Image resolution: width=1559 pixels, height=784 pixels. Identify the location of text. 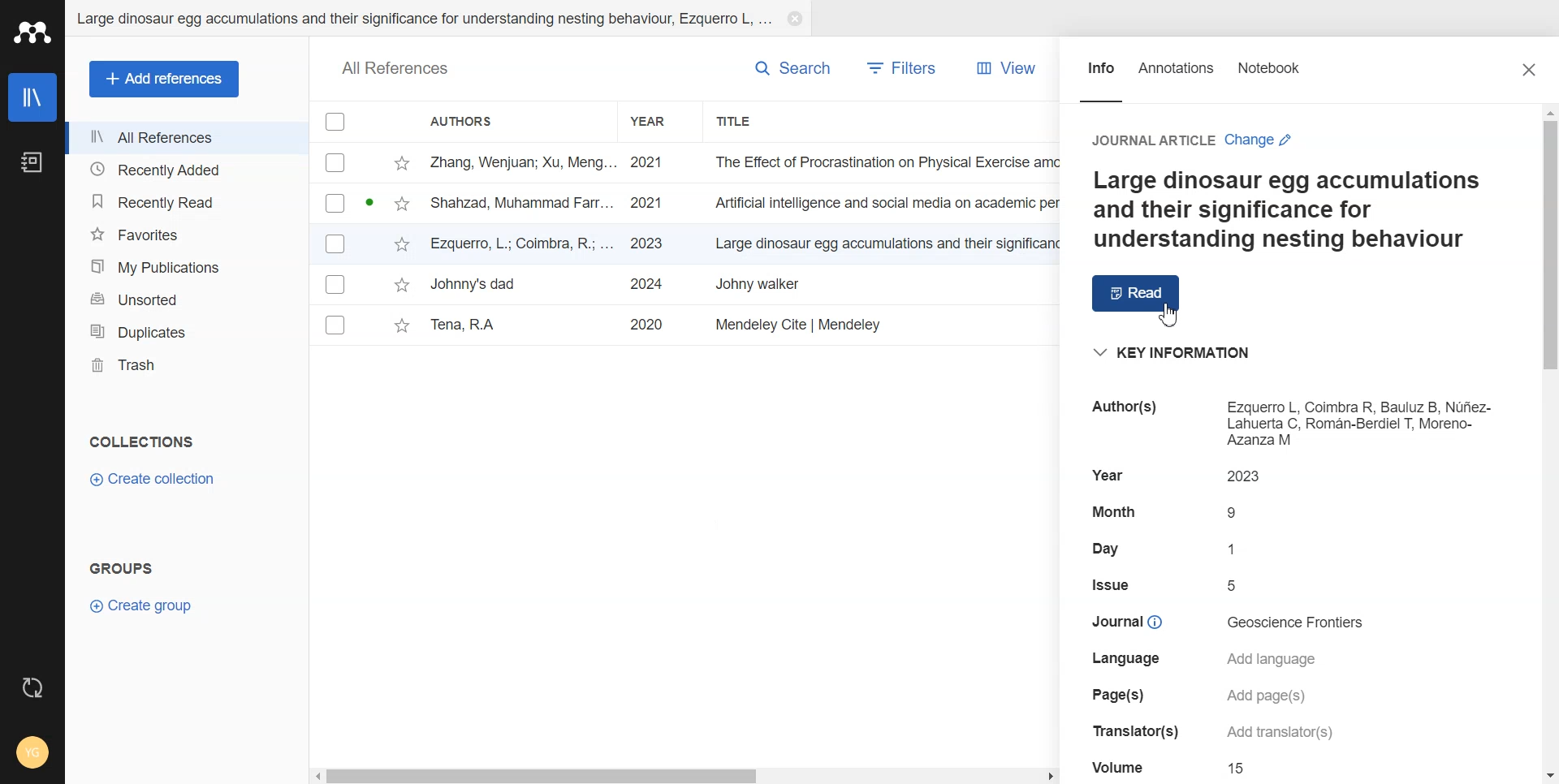
(1142, 139).